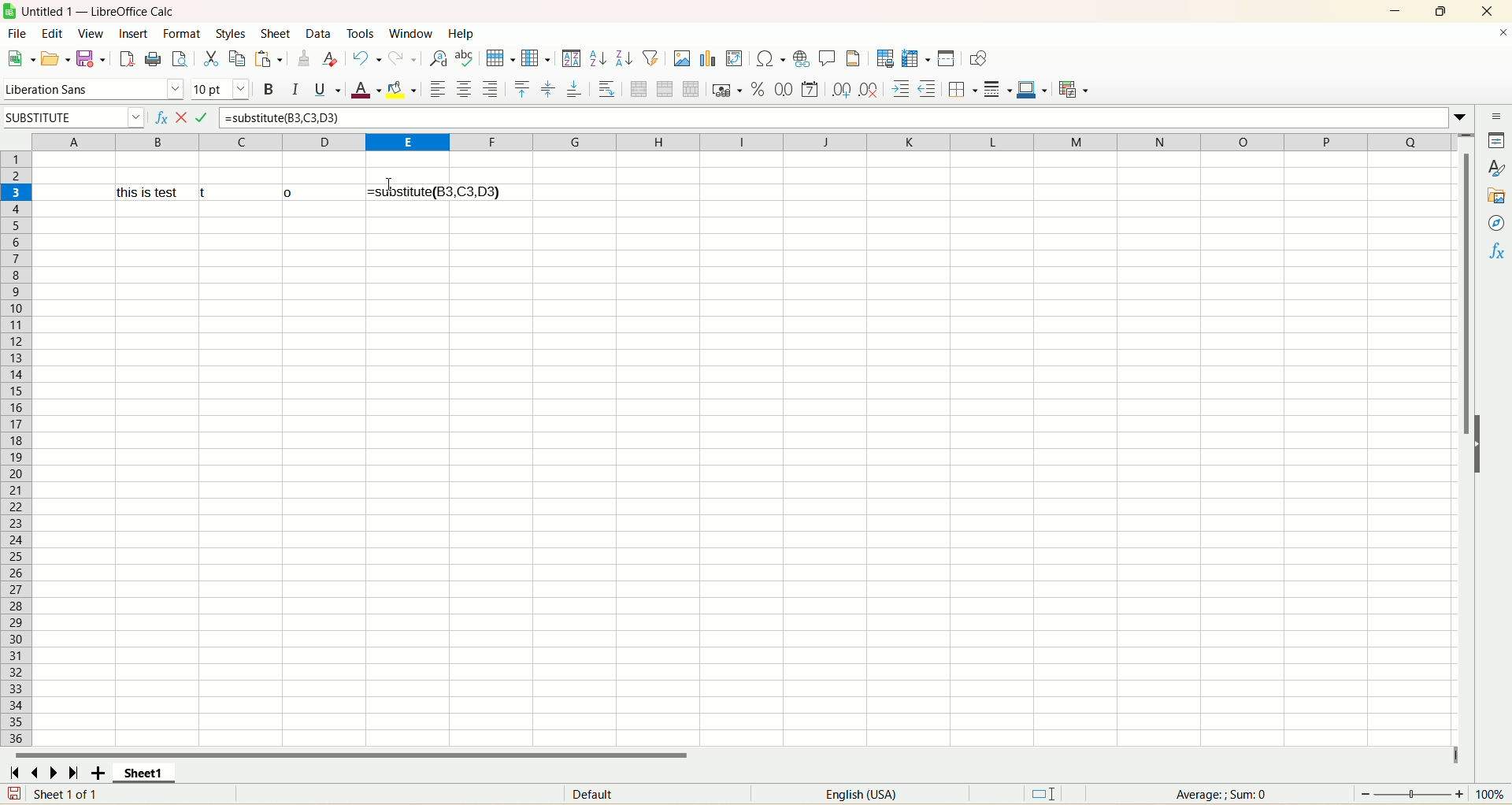 The height and width of the screenshot is (805, 1512). Describe the element at coordinates (548, 88) in the screenshot. I see `align center` at that location.